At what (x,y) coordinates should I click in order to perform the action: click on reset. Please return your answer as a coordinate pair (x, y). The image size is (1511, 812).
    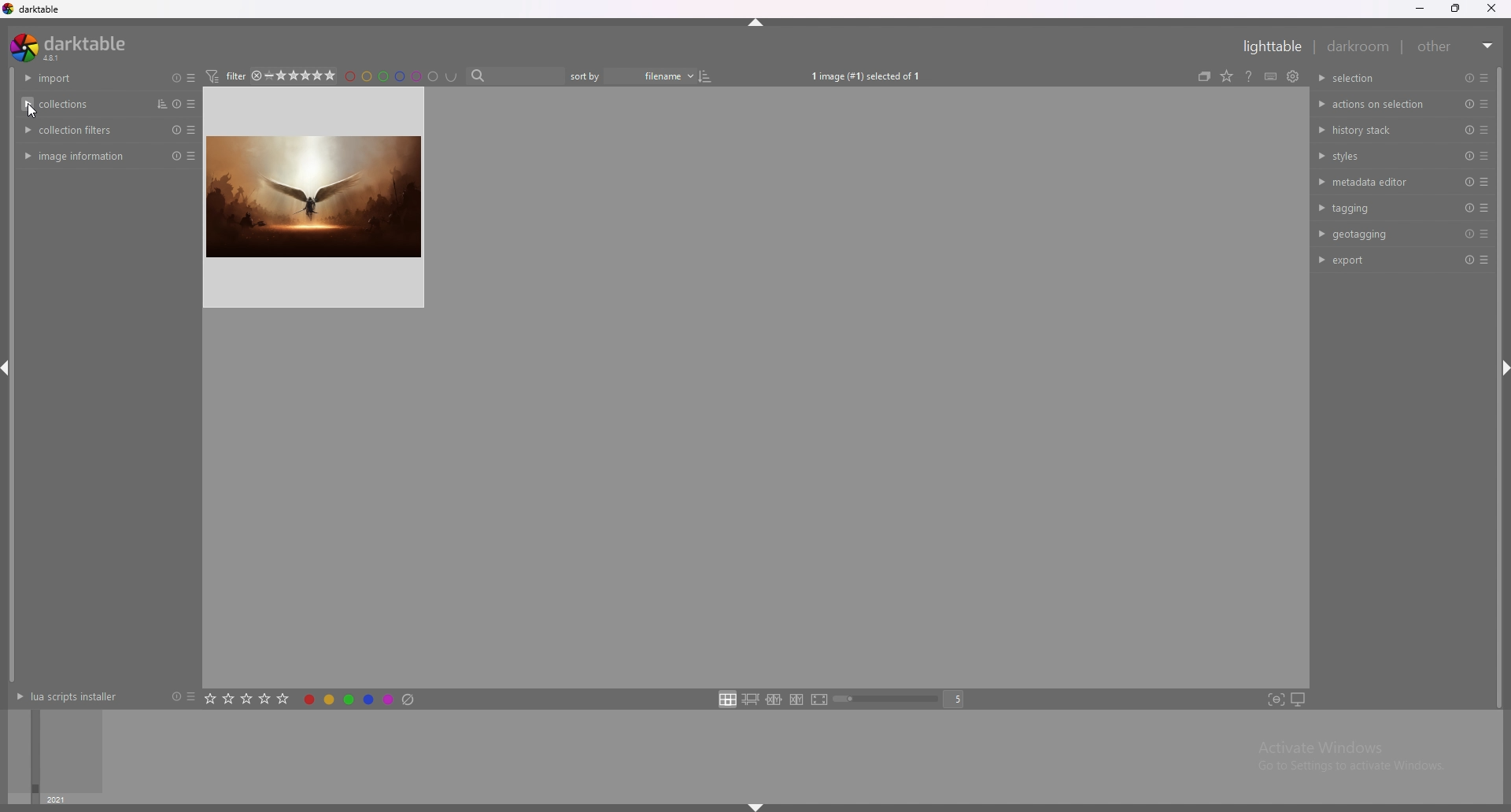
    Looking at the image, I should click on (175, 156).